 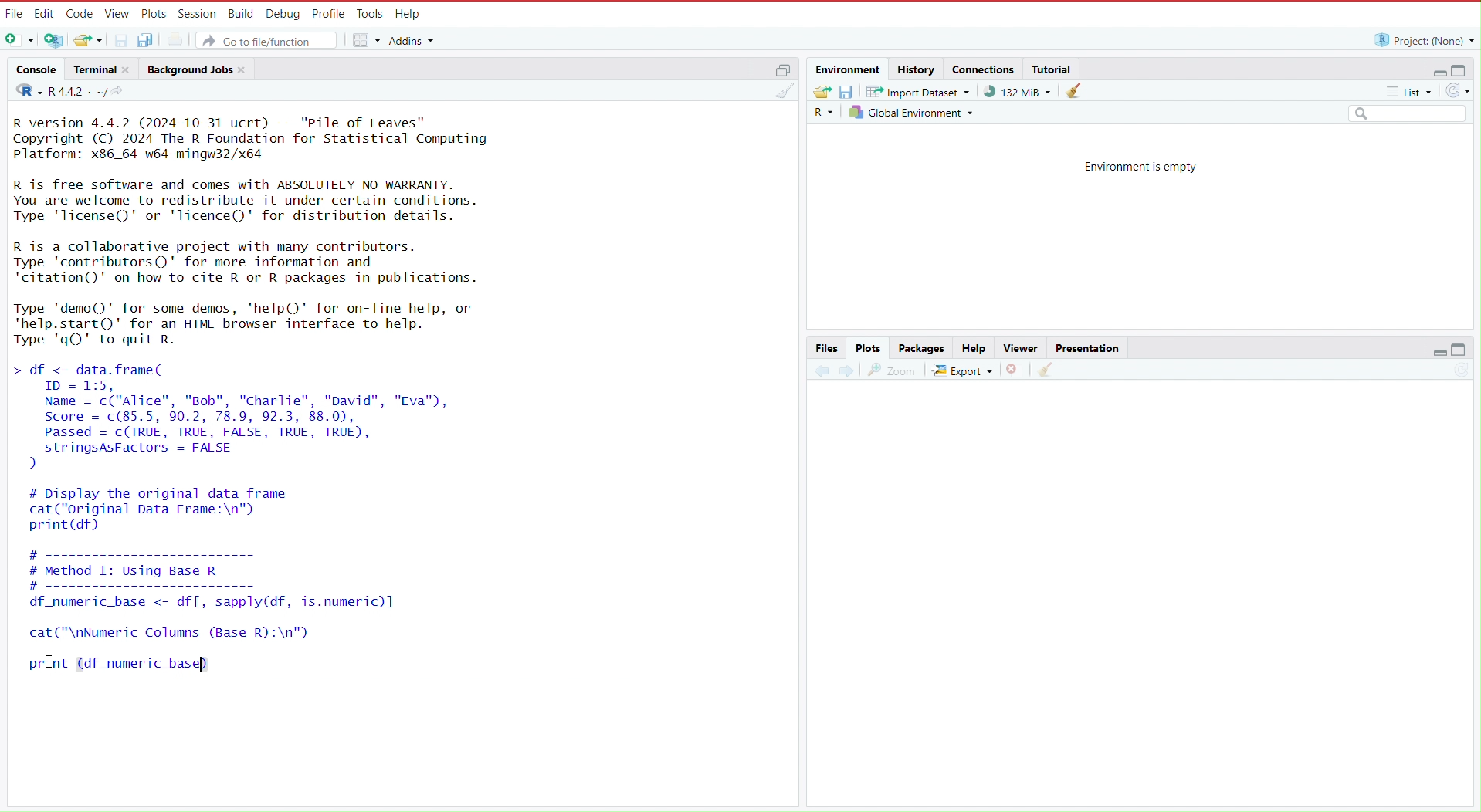 What do you see at coordinates (121, 91) in the screenshot?
I see `view the current working directory` at bounding box center [121, 91].